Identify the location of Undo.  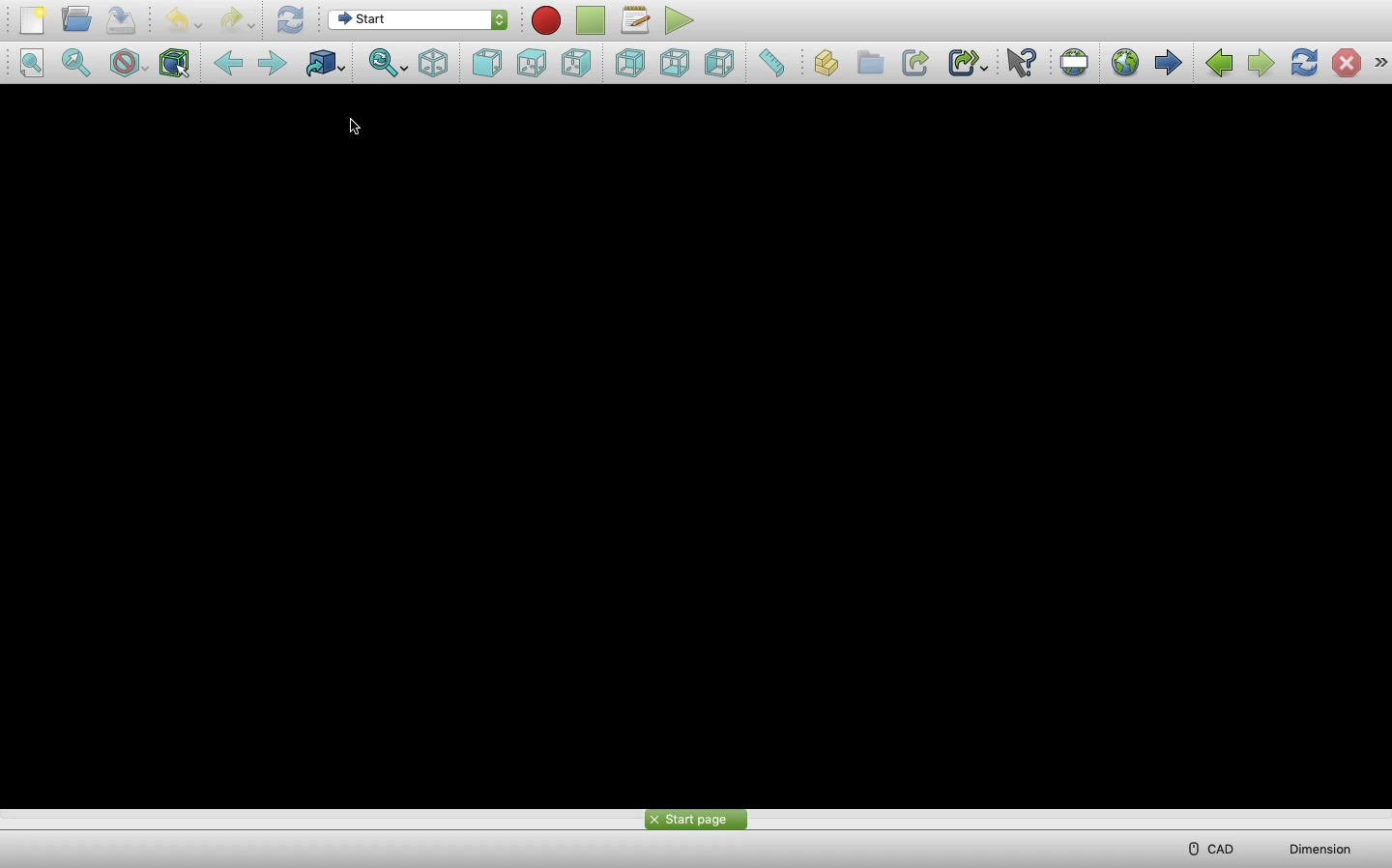
(184, 21).